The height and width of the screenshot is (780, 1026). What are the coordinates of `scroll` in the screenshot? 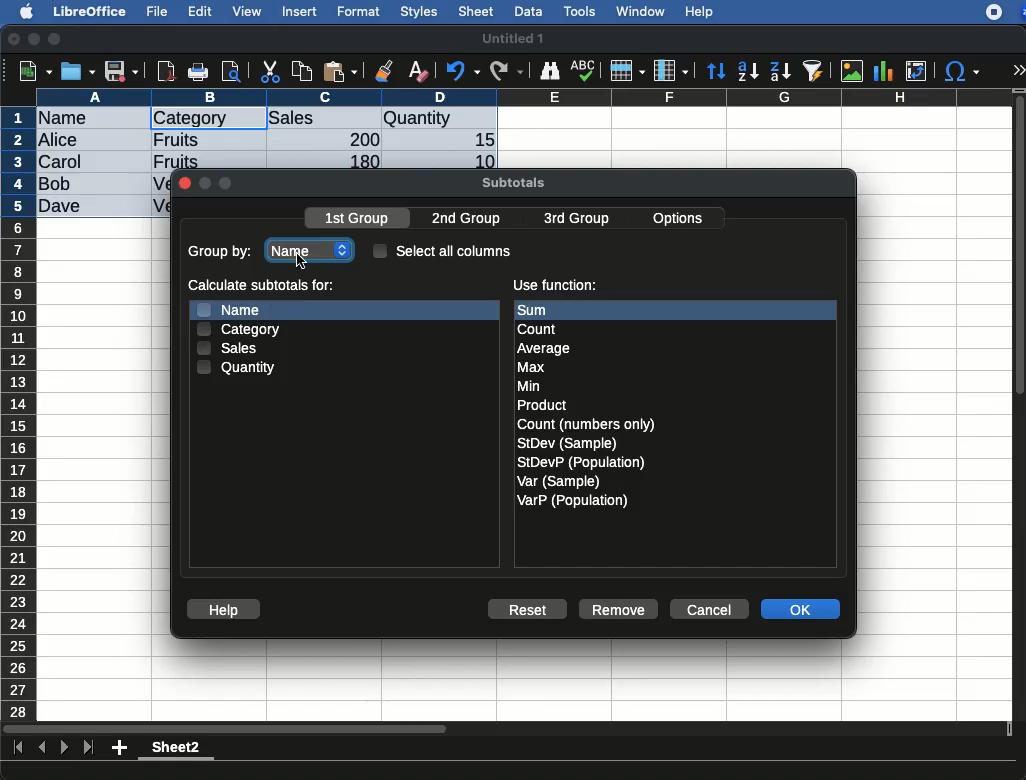 It's located at (1021, 404).